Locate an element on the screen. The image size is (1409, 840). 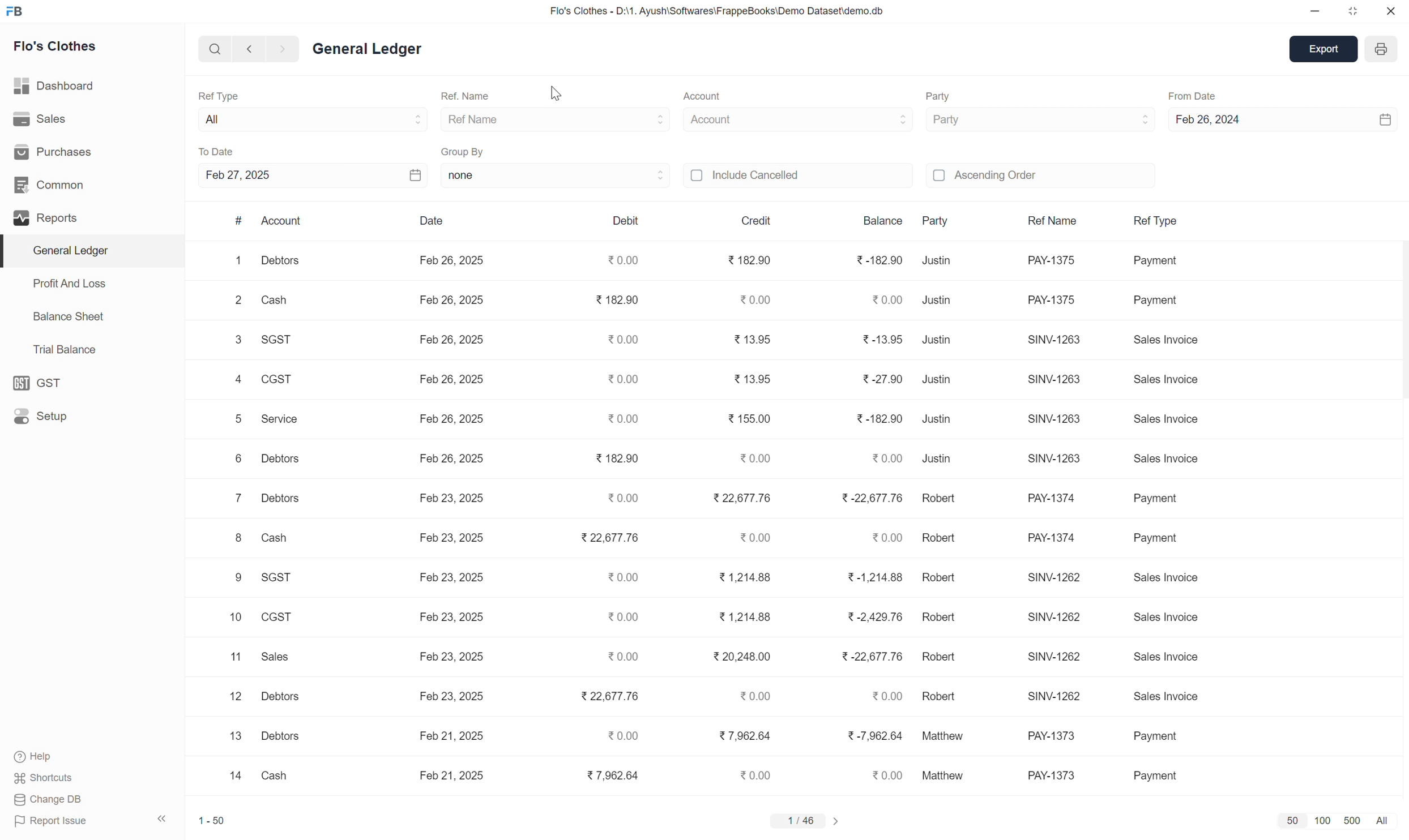
-7,962.64 is located at coordinates (873, 735).